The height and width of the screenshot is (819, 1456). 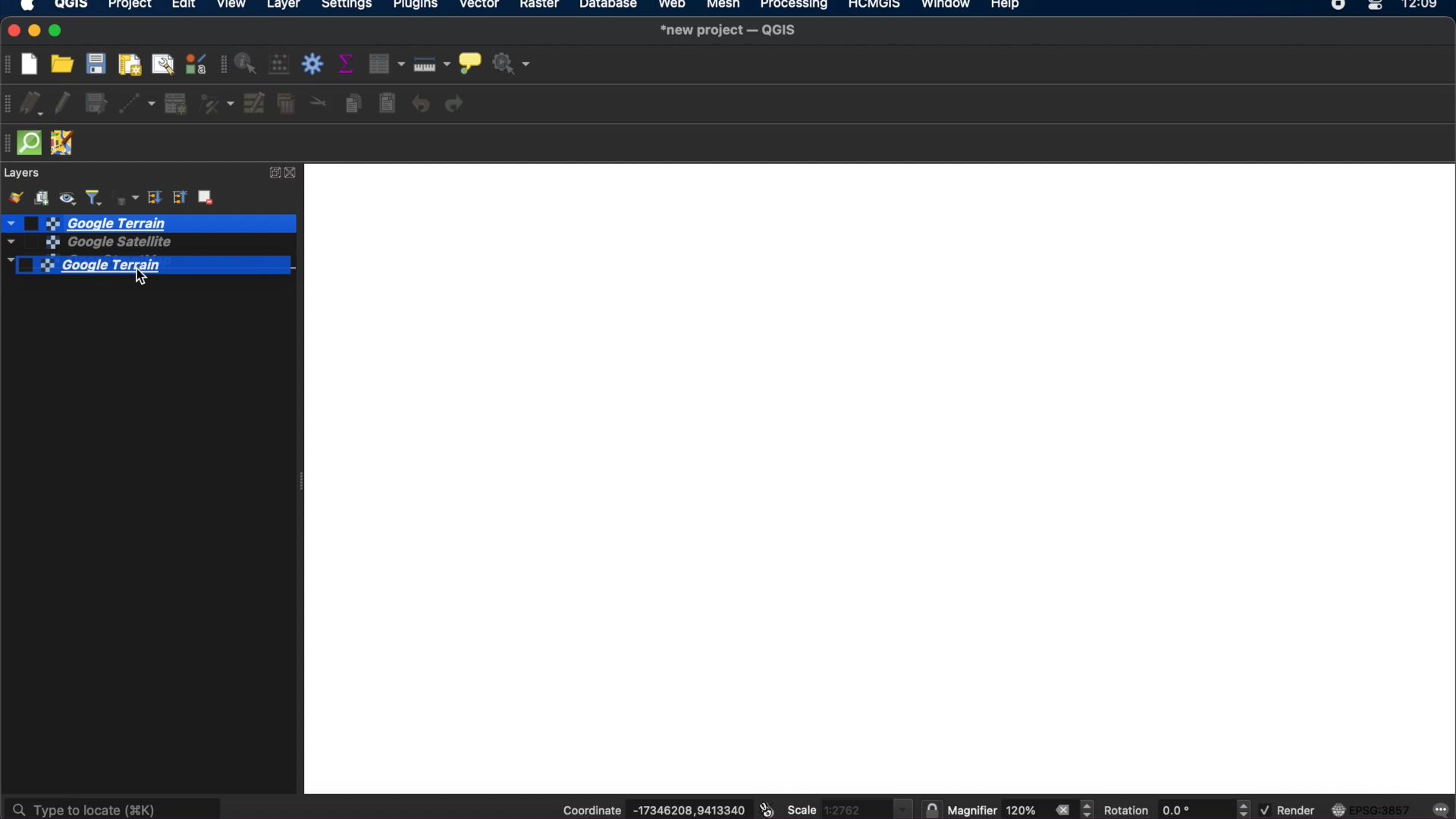 What do you see at coordinates (11, 31) in the screenshot?
I see `close` at bounding box center [11, 31].